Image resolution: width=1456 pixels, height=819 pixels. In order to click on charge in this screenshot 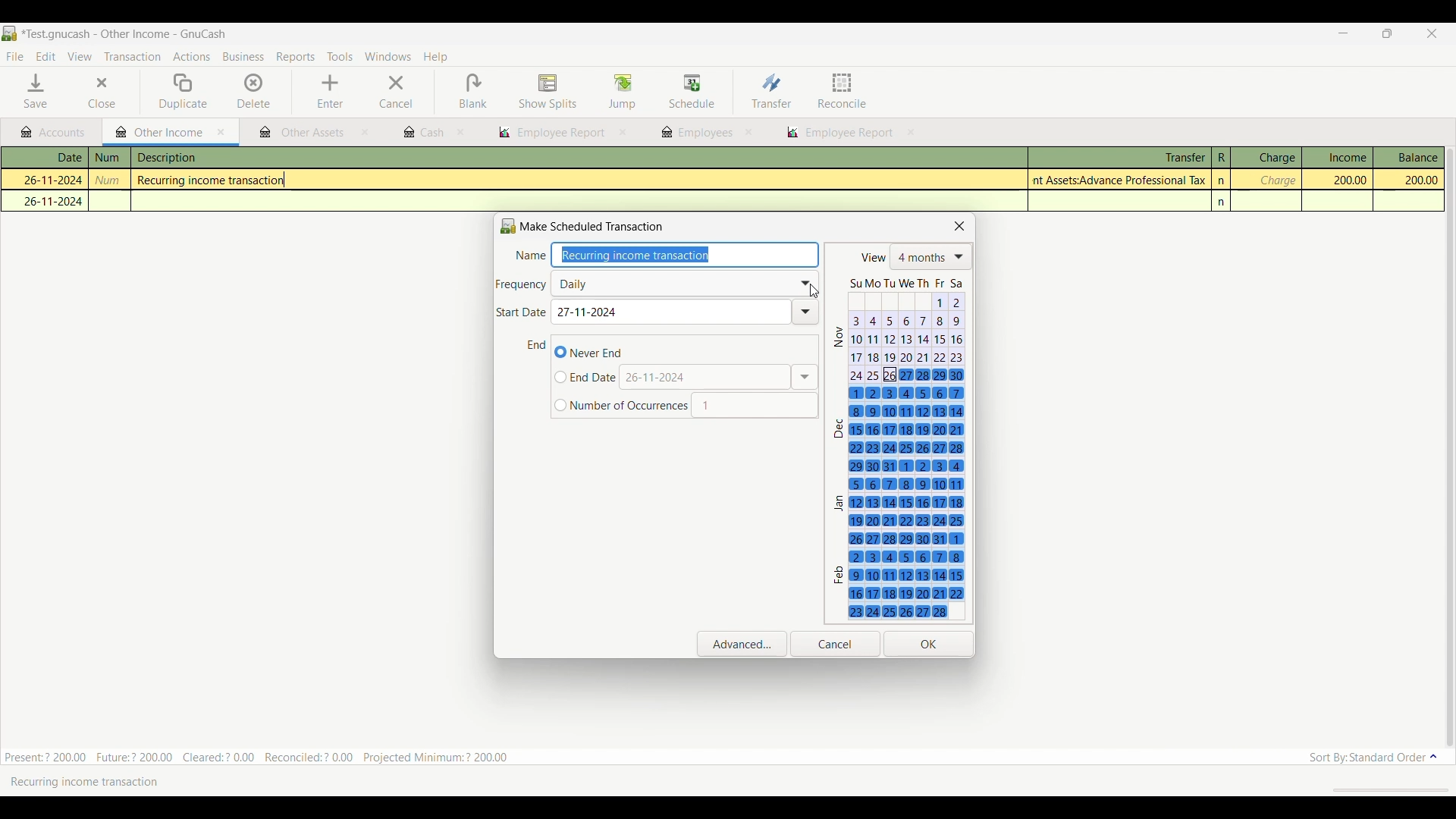, I will do `click(1276, 180)`.